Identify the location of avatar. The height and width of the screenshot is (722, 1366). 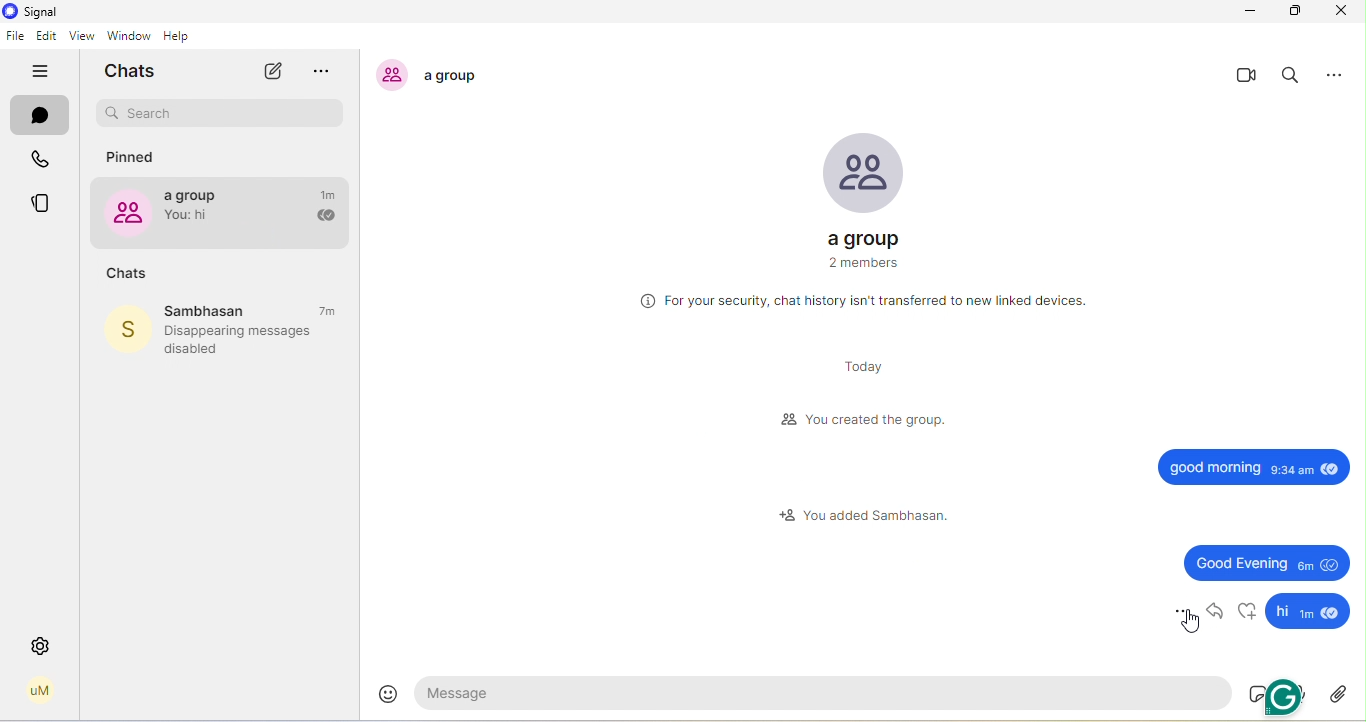
(124, 331).